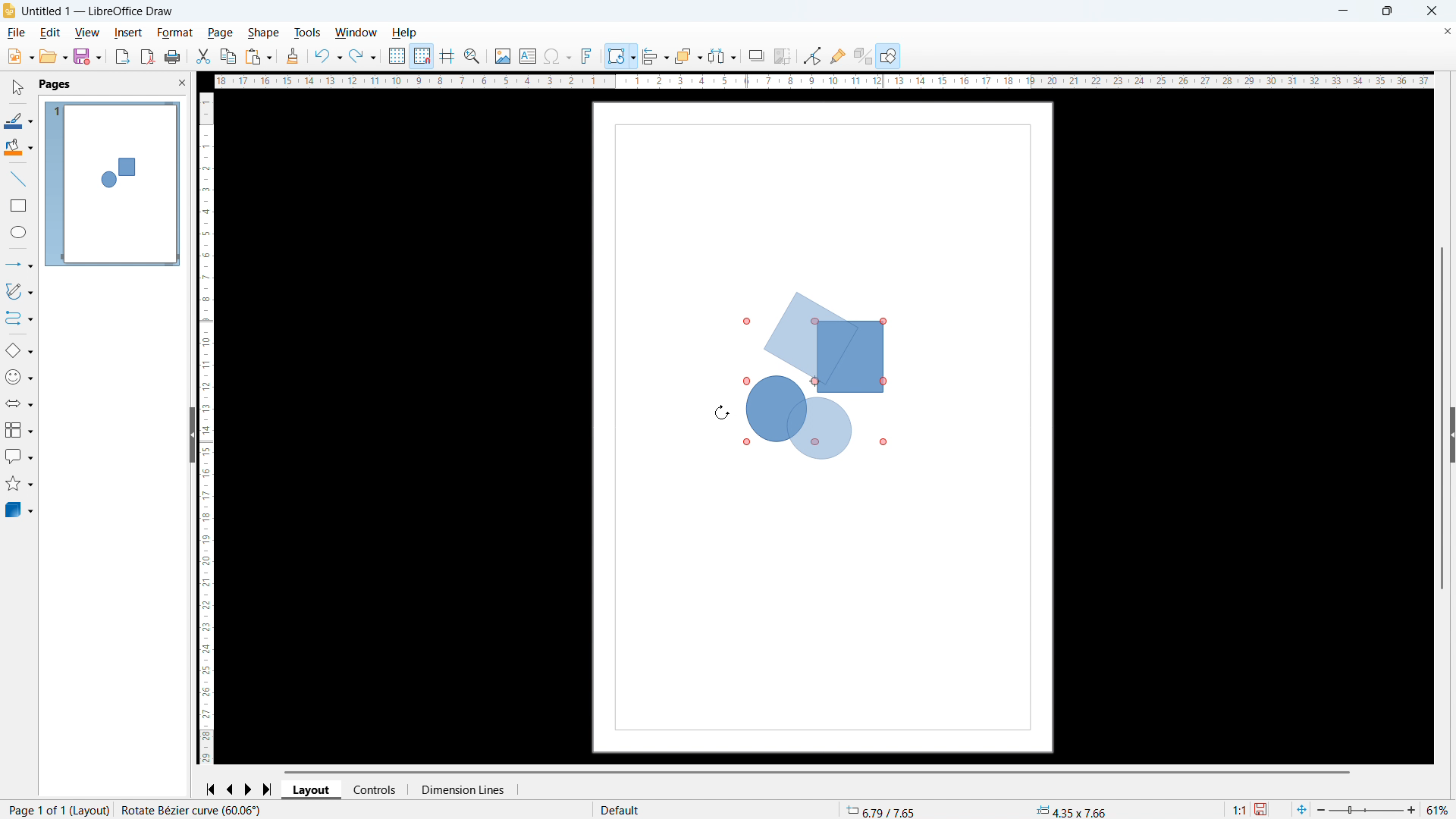  I want to click on Paste , so click(259, 56).